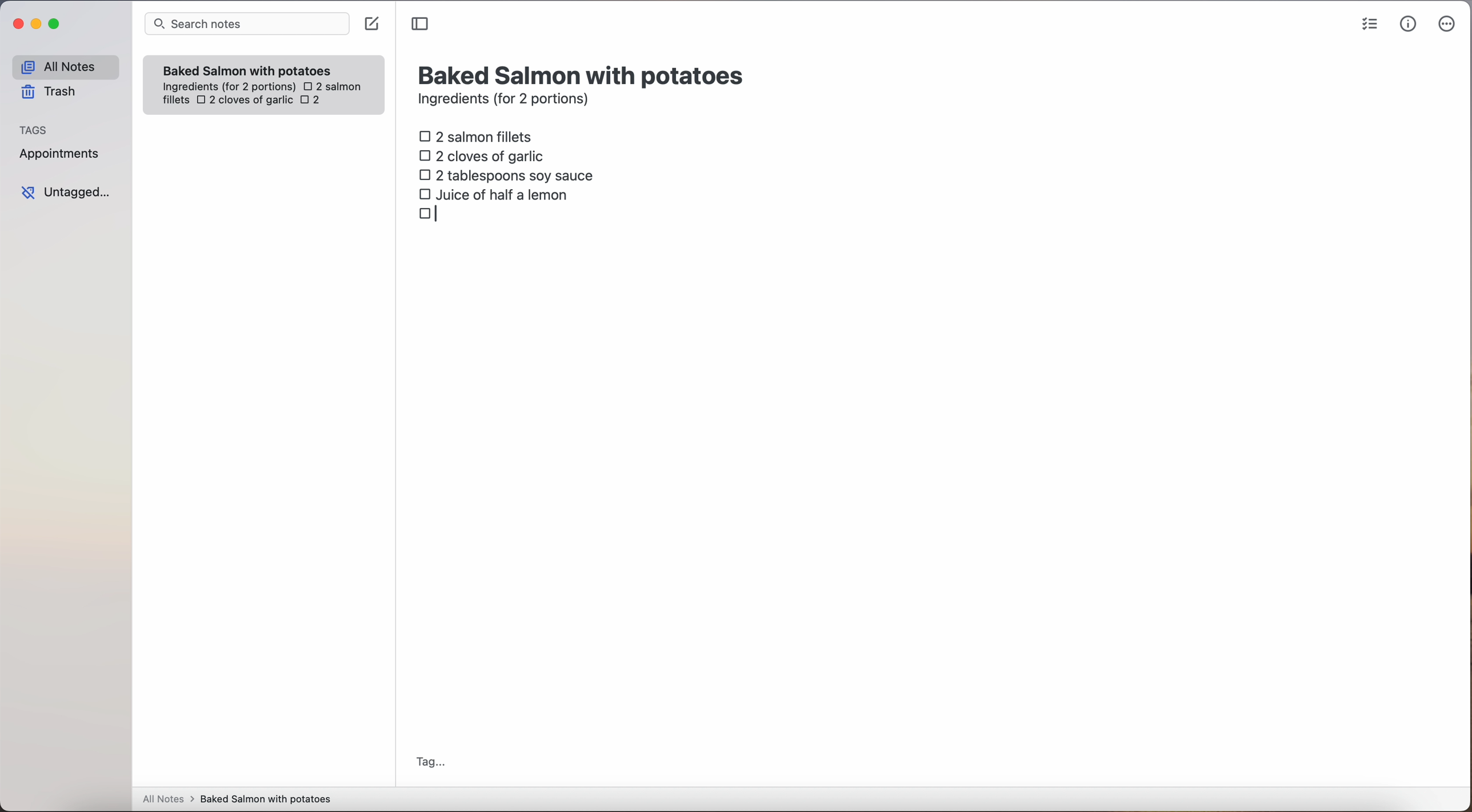  I want to click on more options, so click(1449, 25).